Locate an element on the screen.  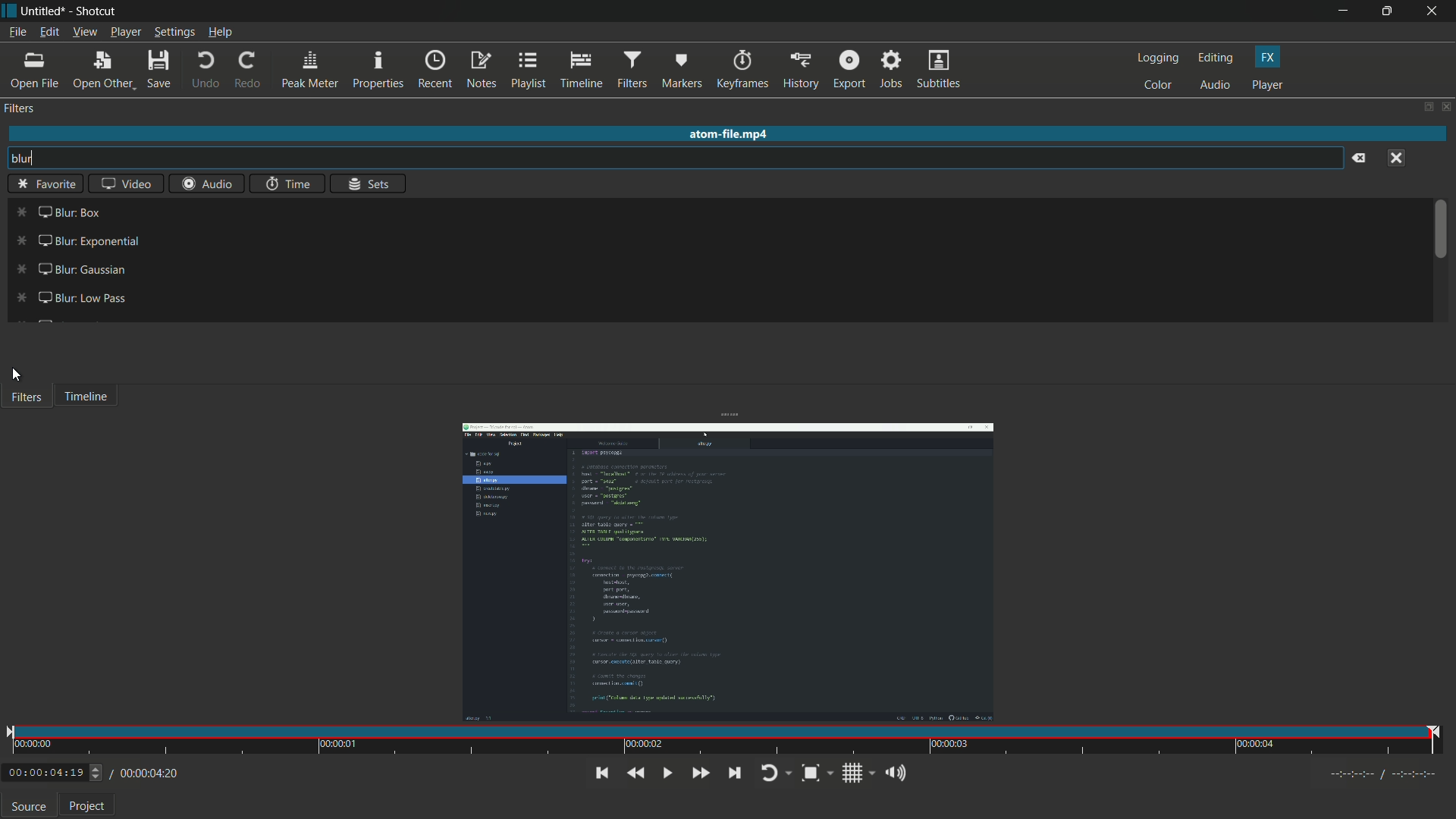
blur exponential is located at coordinates (77, 242).